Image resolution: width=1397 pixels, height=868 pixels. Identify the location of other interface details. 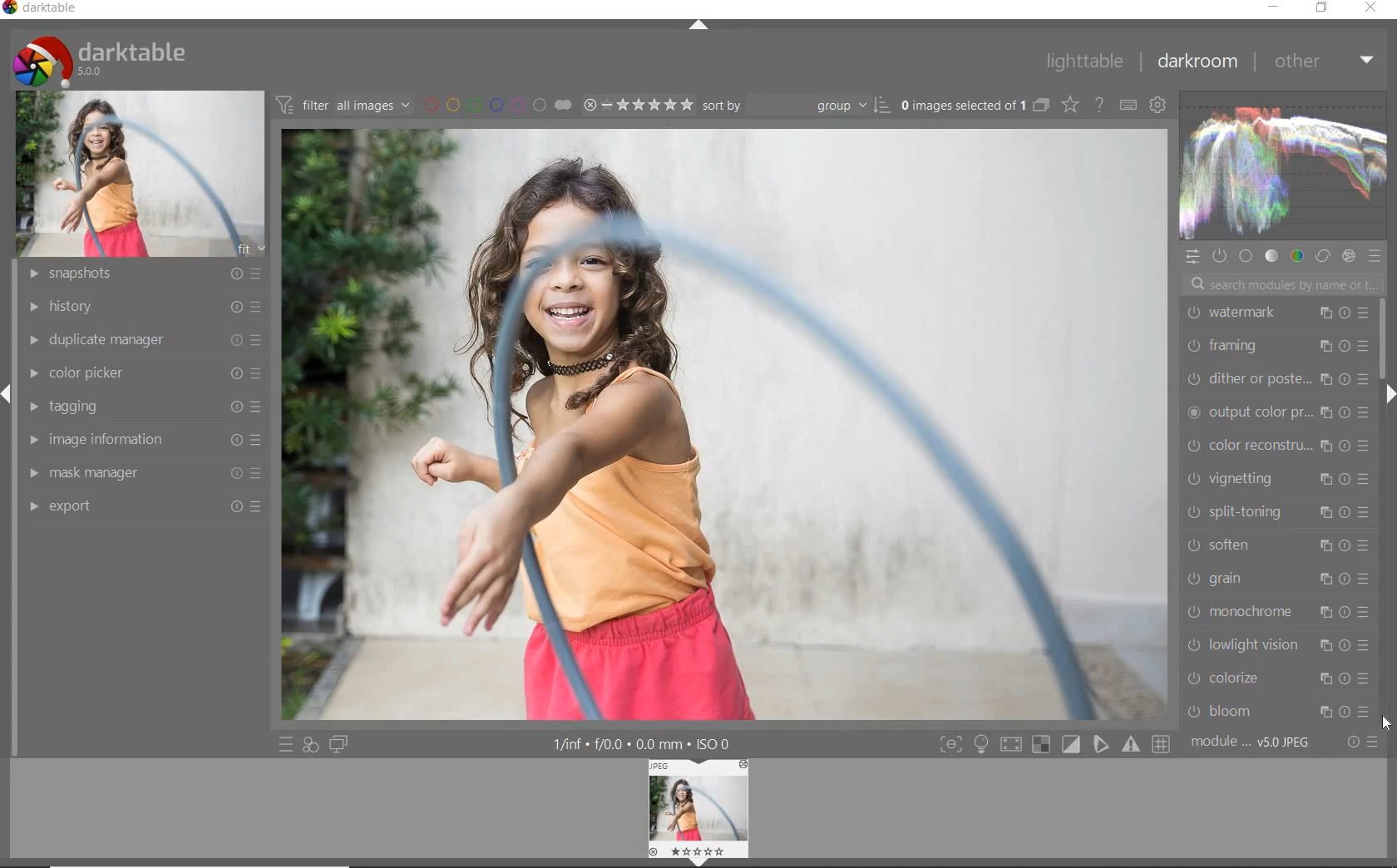
(644, 745).